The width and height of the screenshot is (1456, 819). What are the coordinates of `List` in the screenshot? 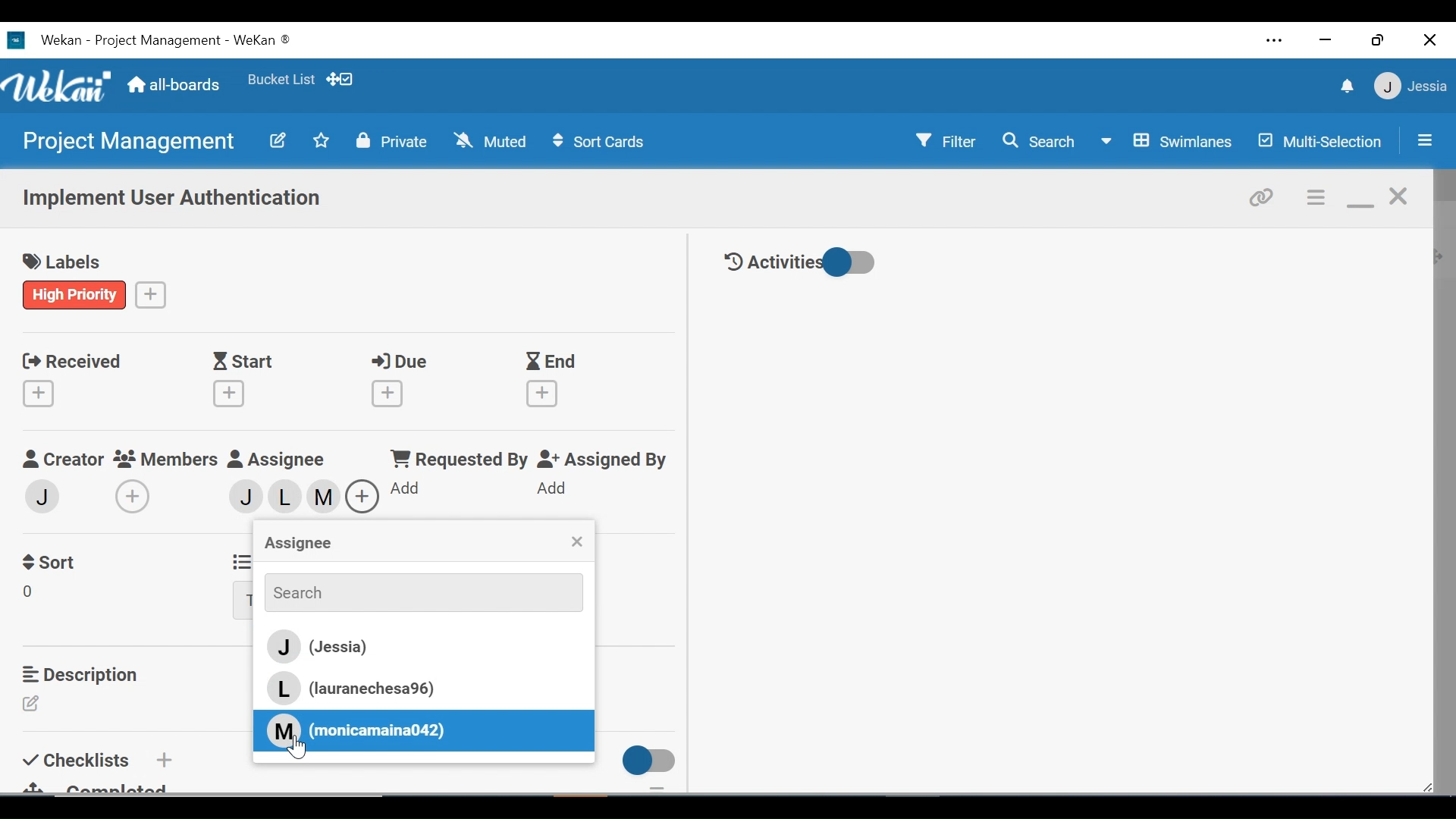 It's located at (239, 560).